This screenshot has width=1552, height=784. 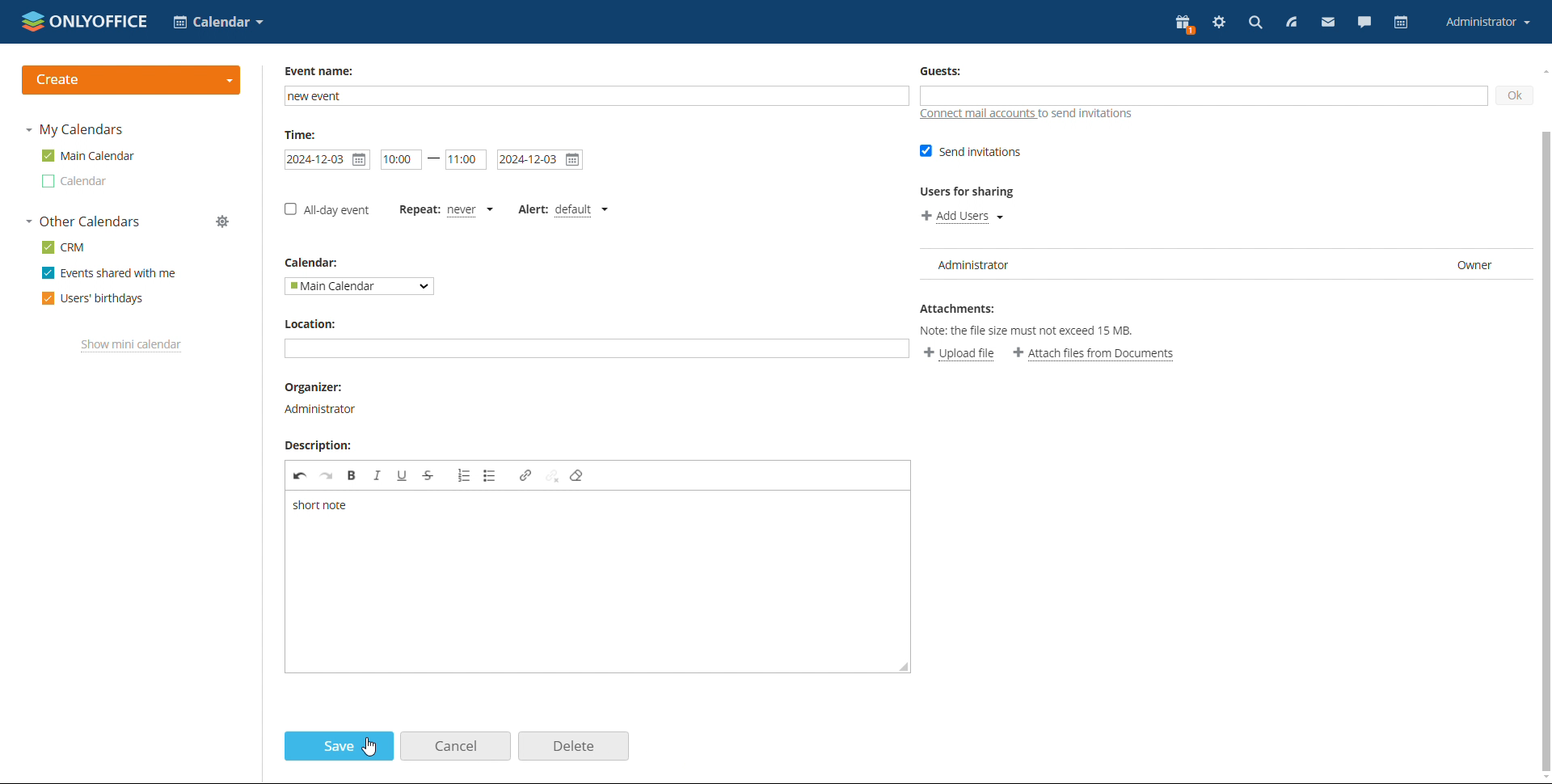 What do you see at coordinates (89, 155) in the screenshot?
I see `main calendar` at bounding box center [89, 155].